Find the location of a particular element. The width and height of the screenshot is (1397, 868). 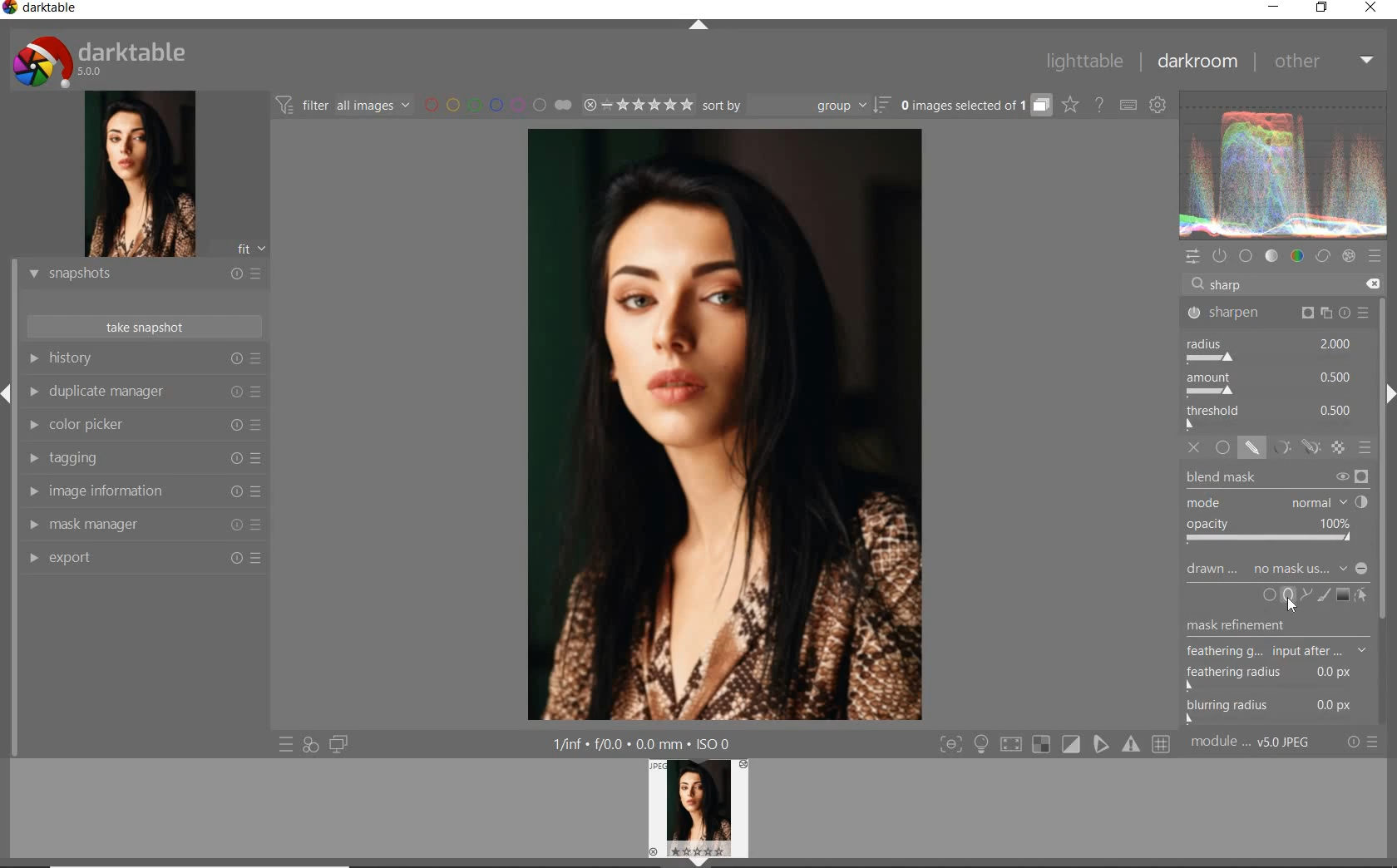

uniformly is located at coordinates (1222, 448).